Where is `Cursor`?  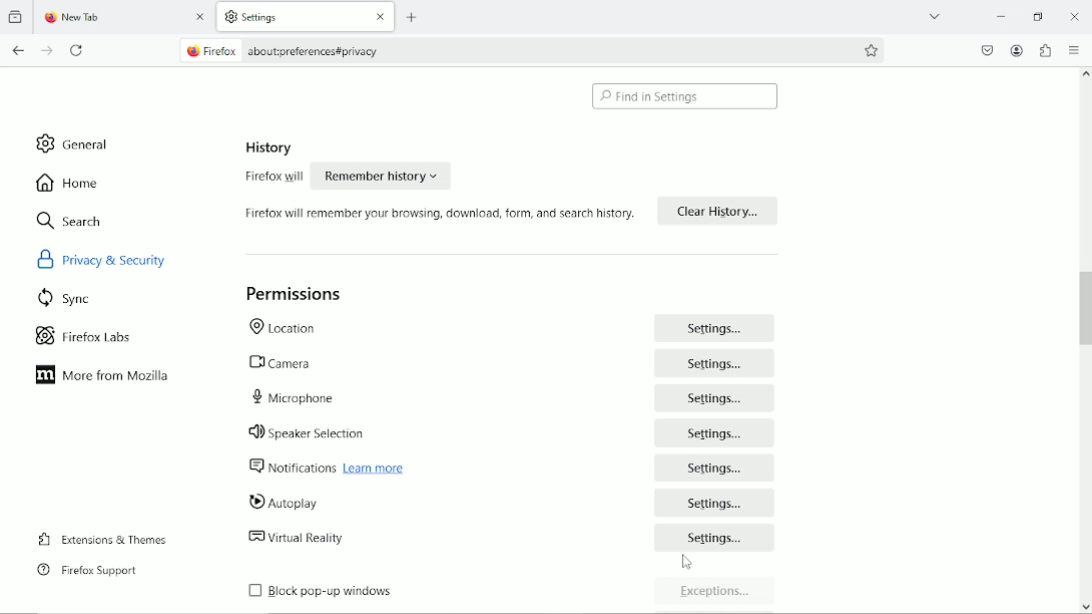 Cursor is located at coordinates (685, 563).